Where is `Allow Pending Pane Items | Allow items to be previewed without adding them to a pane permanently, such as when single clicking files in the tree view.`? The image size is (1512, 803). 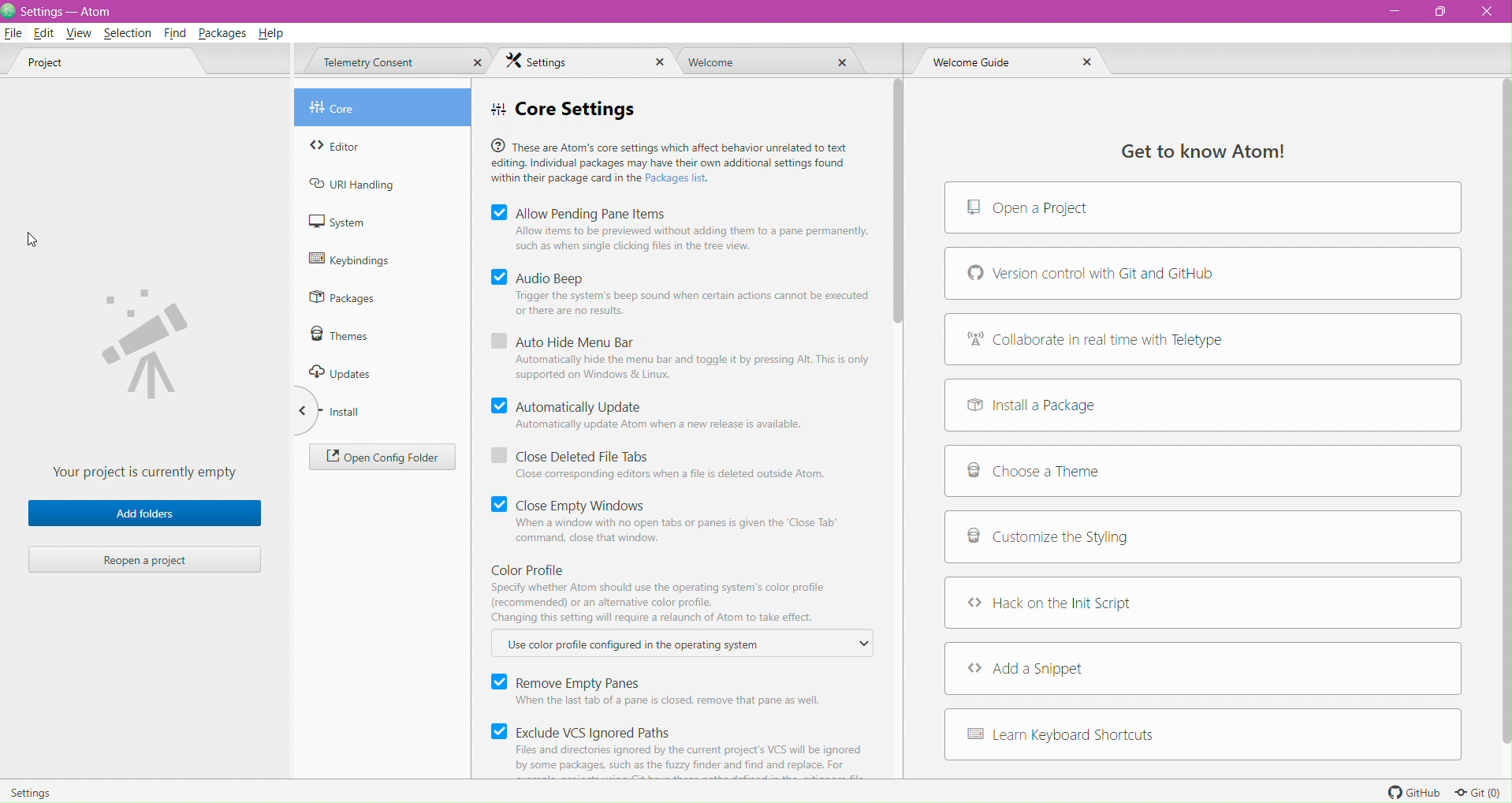 Allow Pending Pane Items | Allow items to be previewed without adding them to a pane permanently, such as when single clicking files in the tree view. is located at coordinates (683, 230).